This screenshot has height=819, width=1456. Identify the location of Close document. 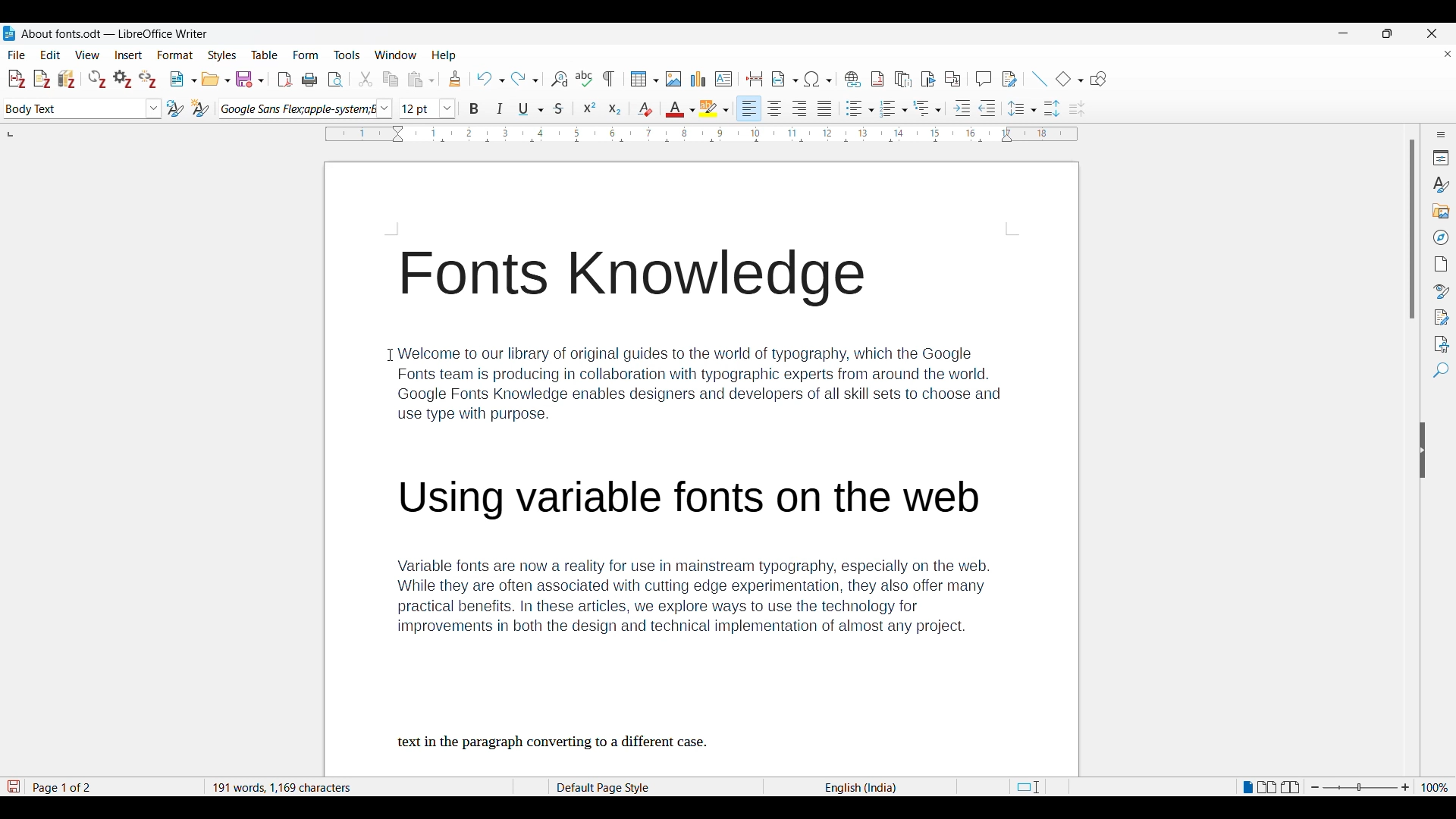
(1448, 54).